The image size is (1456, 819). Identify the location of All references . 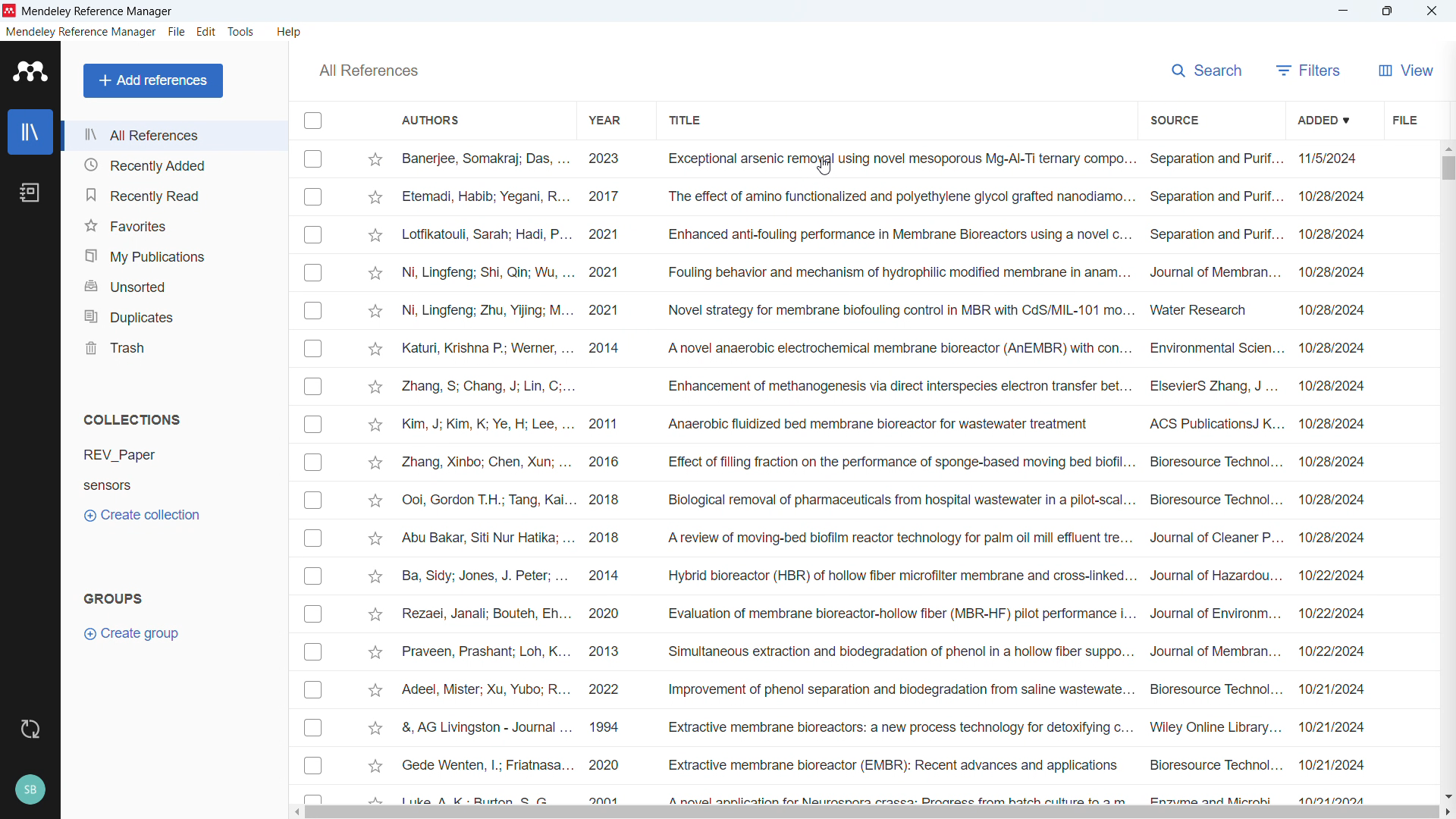
(173, 135).